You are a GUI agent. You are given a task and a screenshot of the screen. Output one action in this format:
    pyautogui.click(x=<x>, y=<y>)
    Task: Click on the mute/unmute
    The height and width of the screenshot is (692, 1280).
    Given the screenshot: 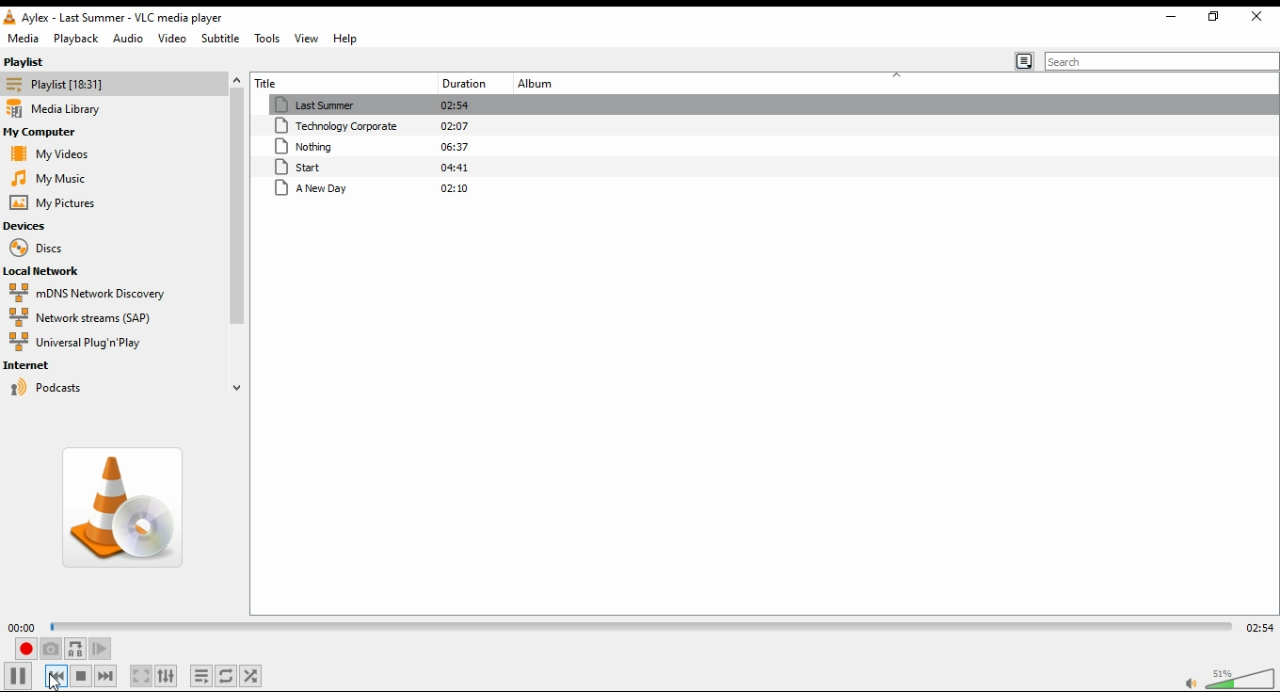 What is the action you would take?
    pyautogui.click(x=1188, y=682)
    